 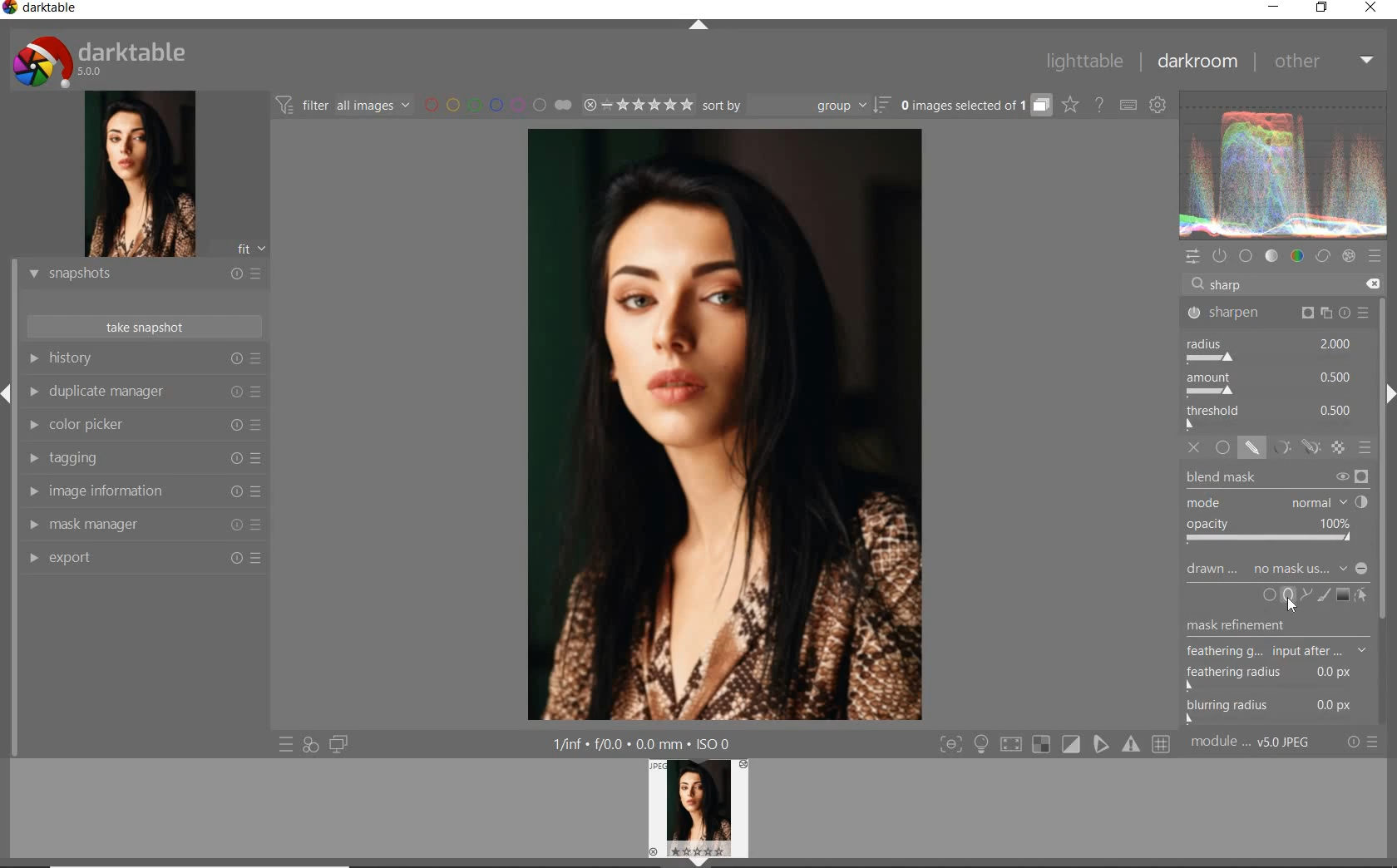 What do you see at coordinates (339, 743) in the screenshot?
I see `display a second darkroom image window` at bounding box center [339, 743].